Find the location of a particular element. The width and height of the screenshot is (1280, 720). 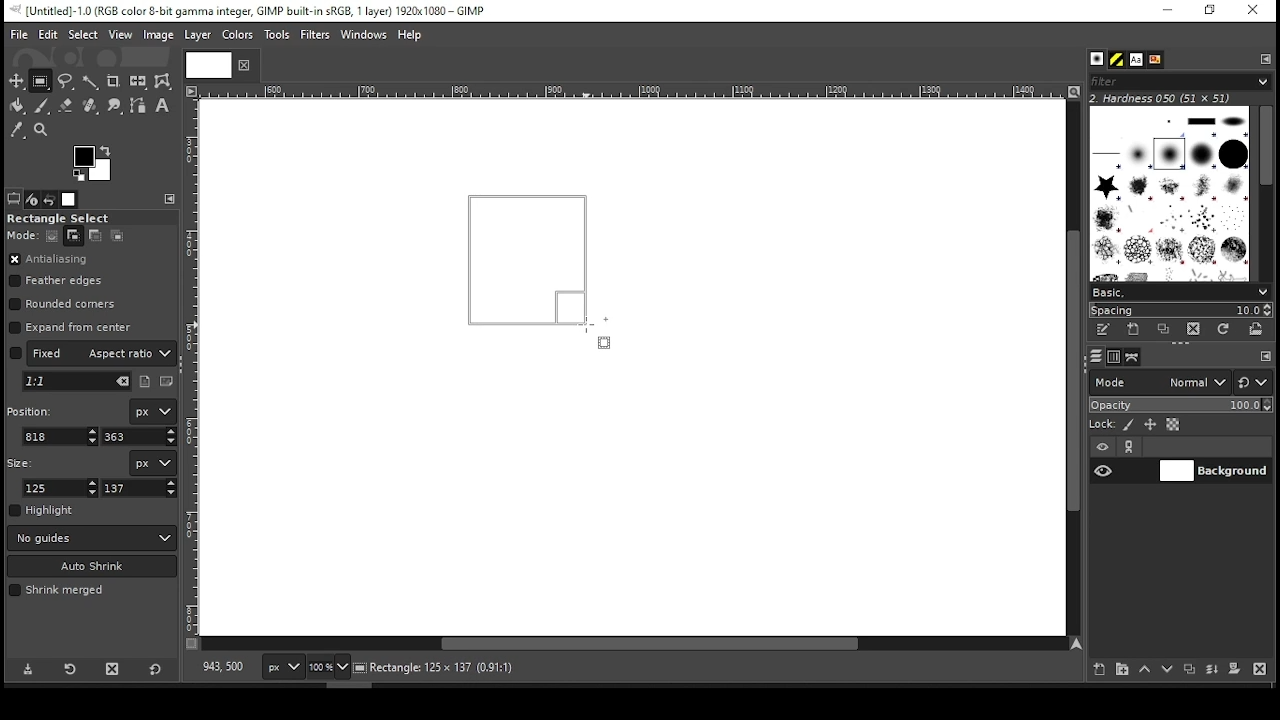

portrait is located at coordinates (146, 381).